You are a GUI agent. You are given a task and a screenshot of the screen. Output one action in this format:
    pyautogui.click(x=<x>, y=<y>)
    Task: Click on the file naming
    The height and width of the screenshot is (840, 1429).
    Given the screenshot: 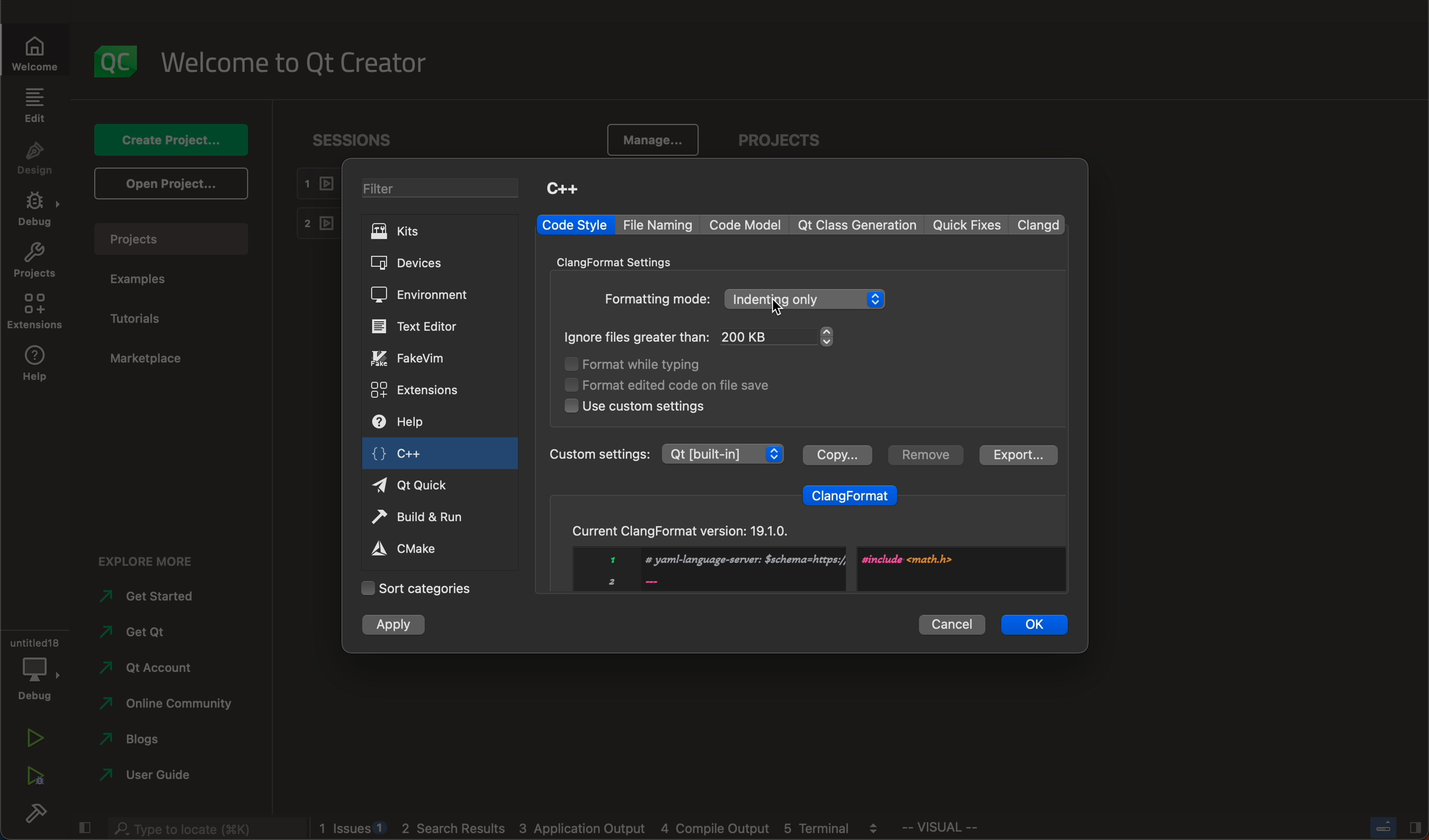 What is the action you would take?
    pyautogui.click(x=661, y=225)
    